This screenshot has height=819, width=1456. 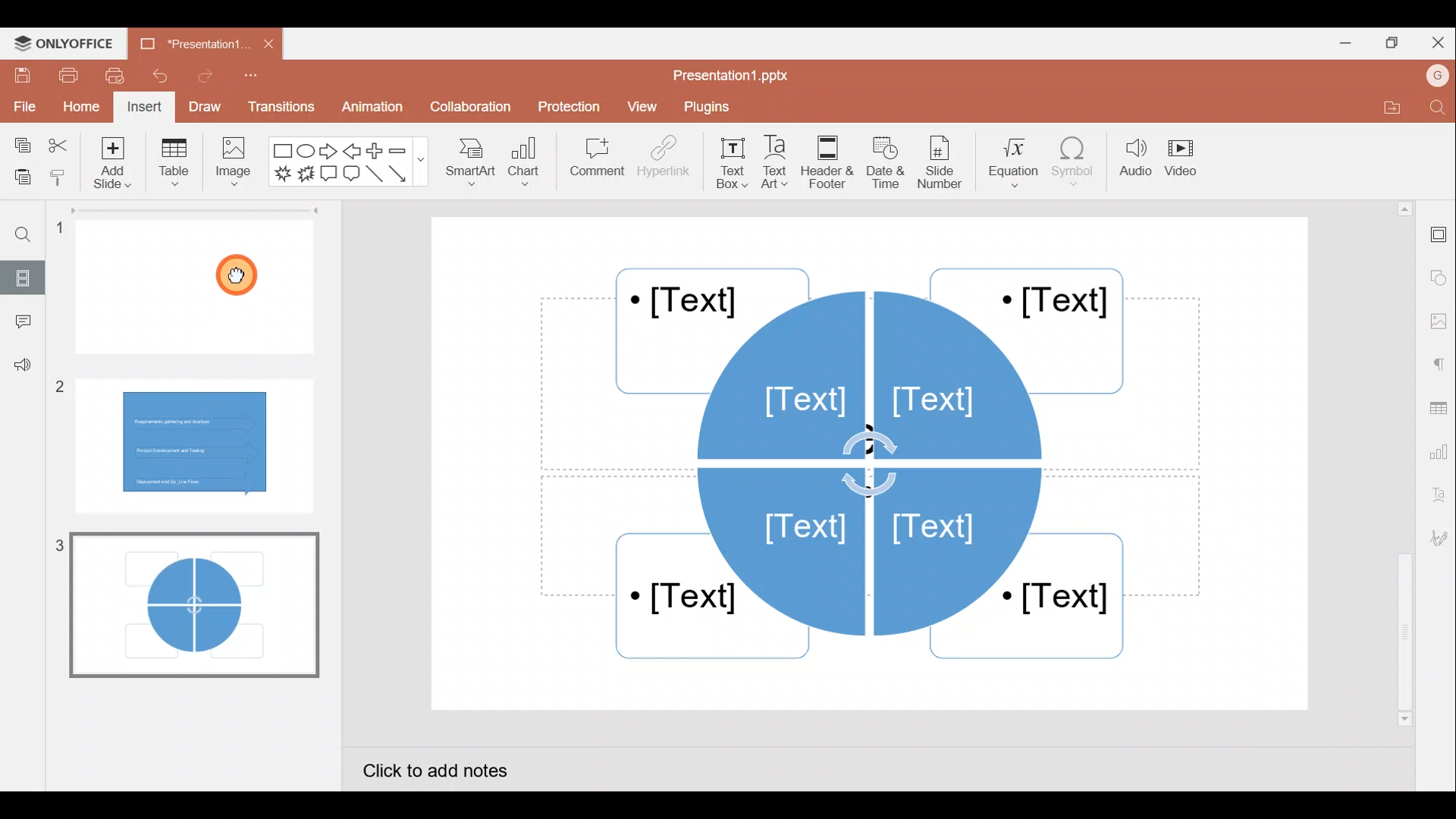 What do you see at coordinates (109, 165) in the screenshot?
I see `Add slide` at bounding box center [109, 165].